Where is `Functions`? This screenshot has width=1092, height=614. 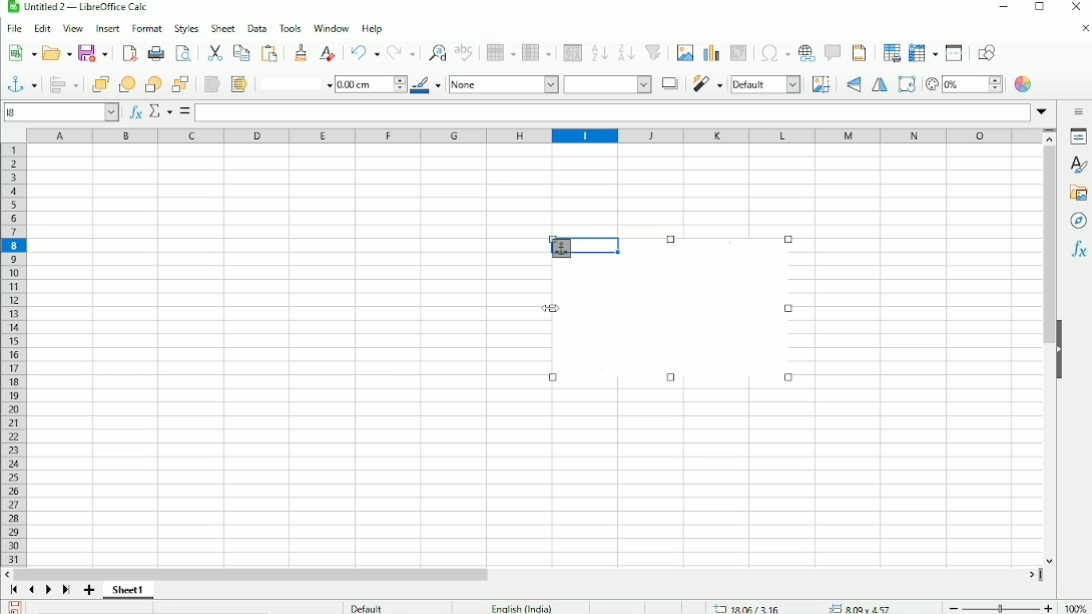
Functions is located at coordinates (1078, 251).